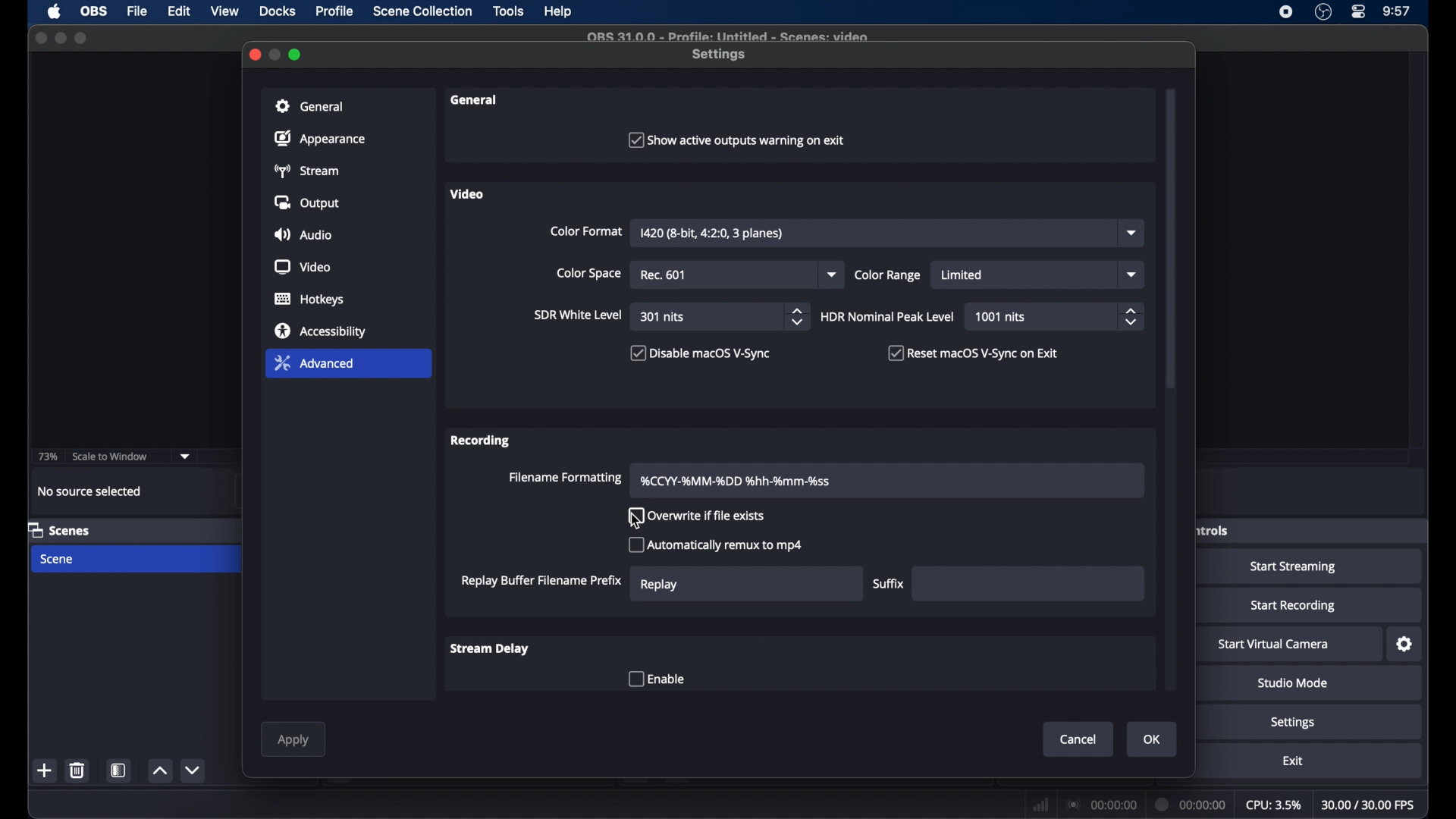 This screenshot has width=1456, height=819. I want to click on fps, so click(1369, 805).